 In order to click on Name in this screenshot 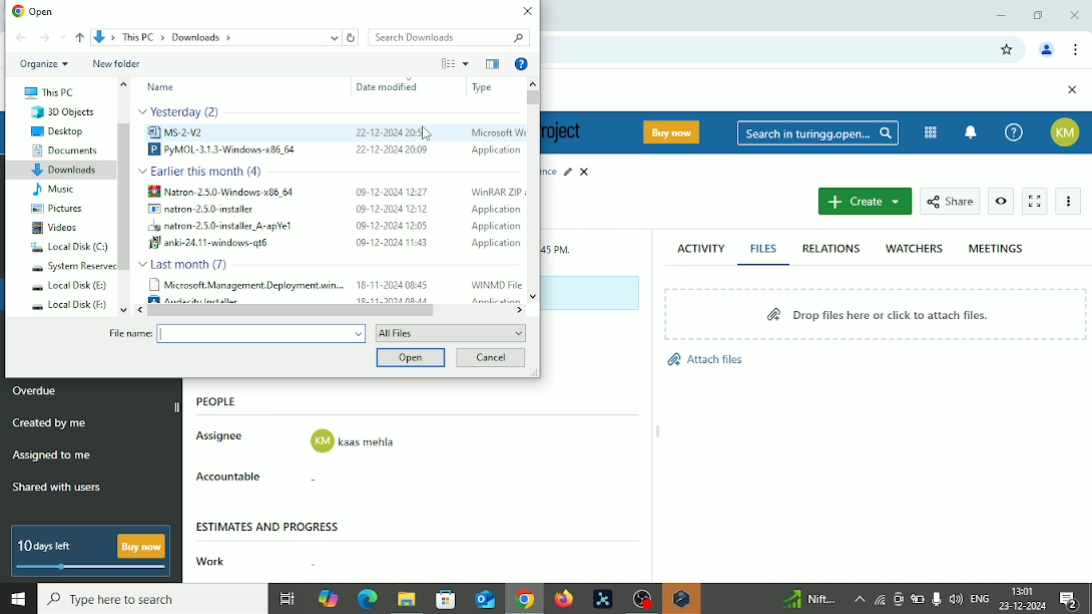, I will do `click(161, 87)`.